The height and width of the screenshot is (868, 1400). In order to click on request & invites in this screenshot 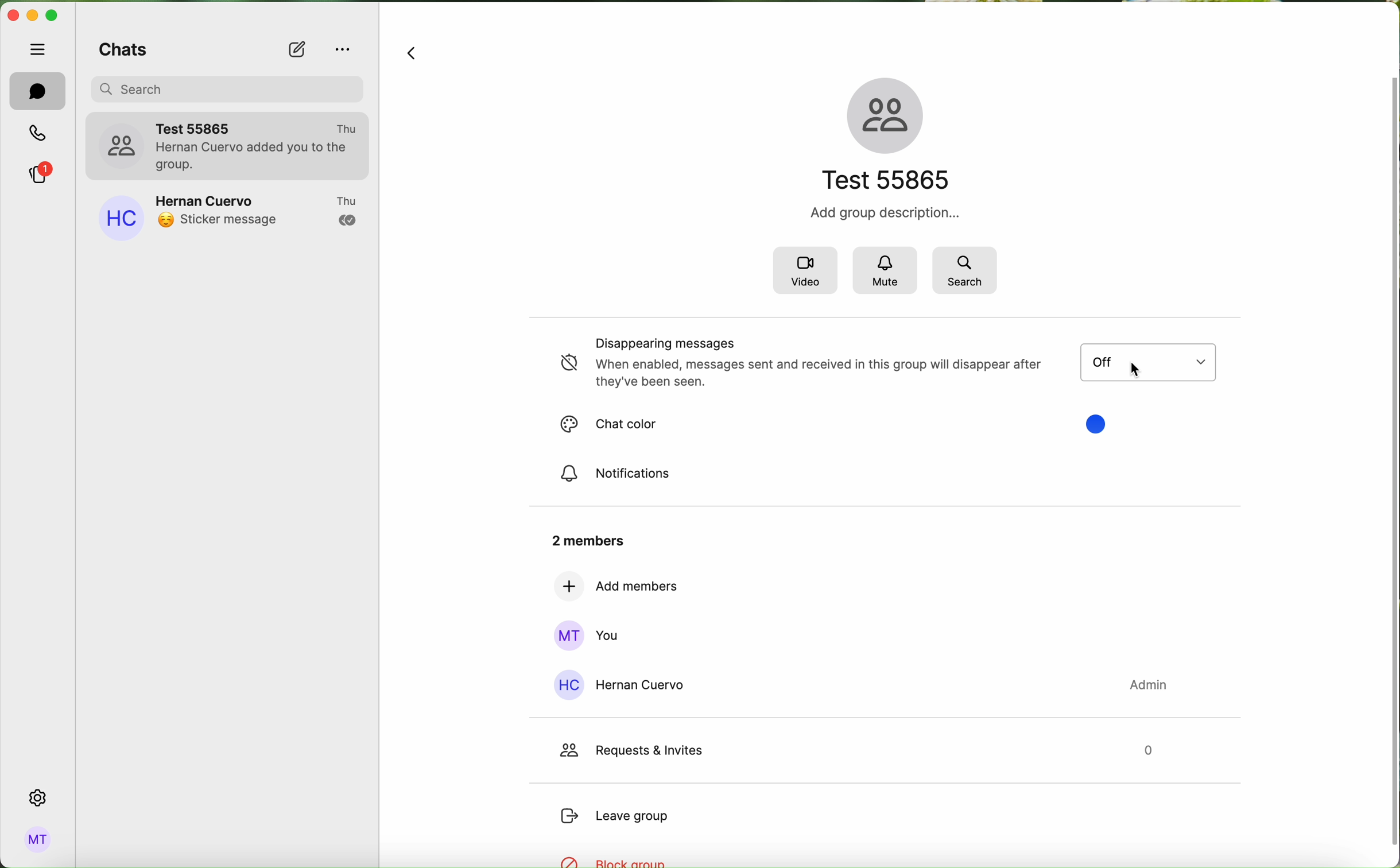, I will do `click(856, 753)`.